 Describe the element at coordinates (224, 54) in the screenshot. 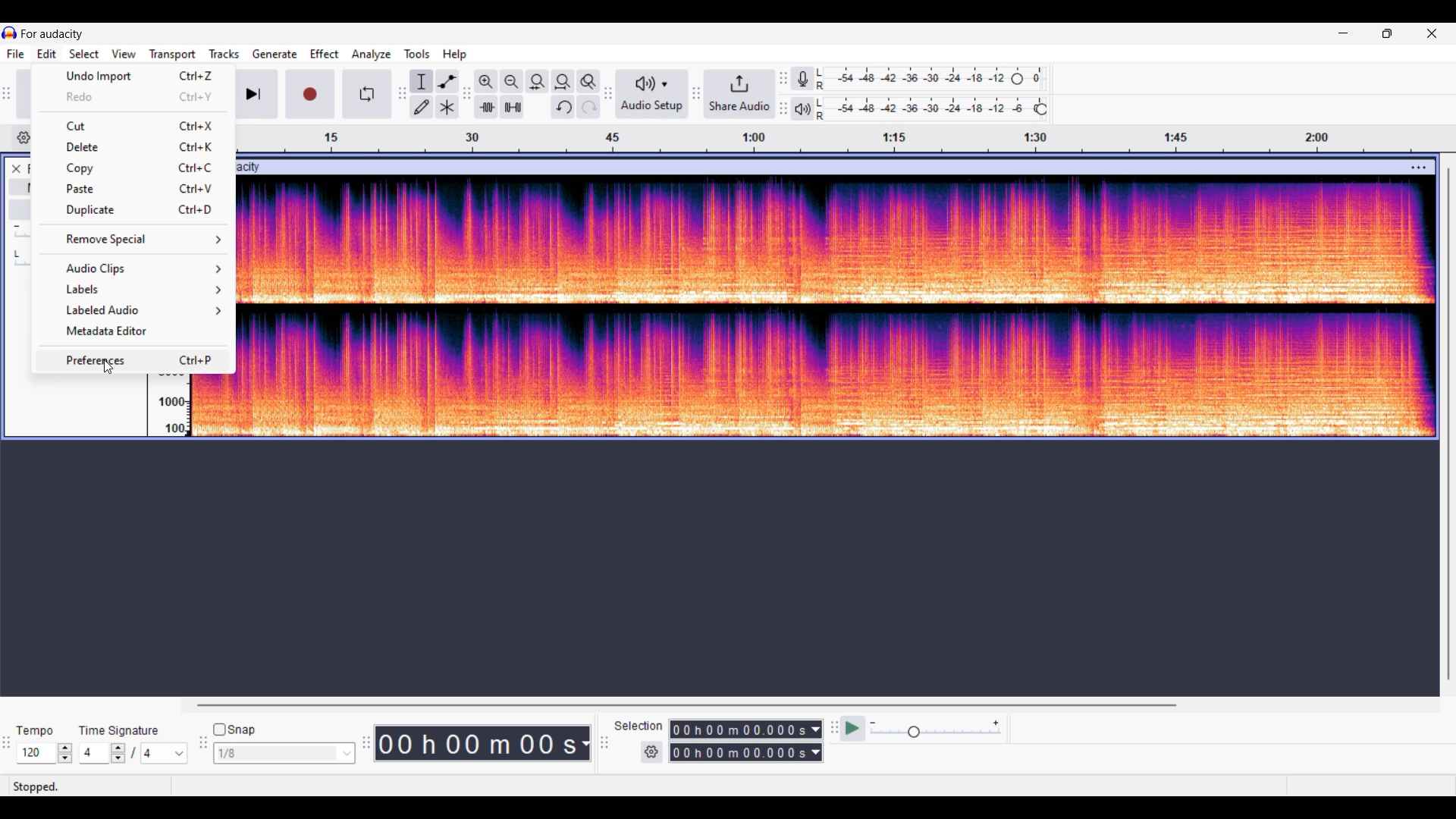

I see `Tracks menu` at that location.